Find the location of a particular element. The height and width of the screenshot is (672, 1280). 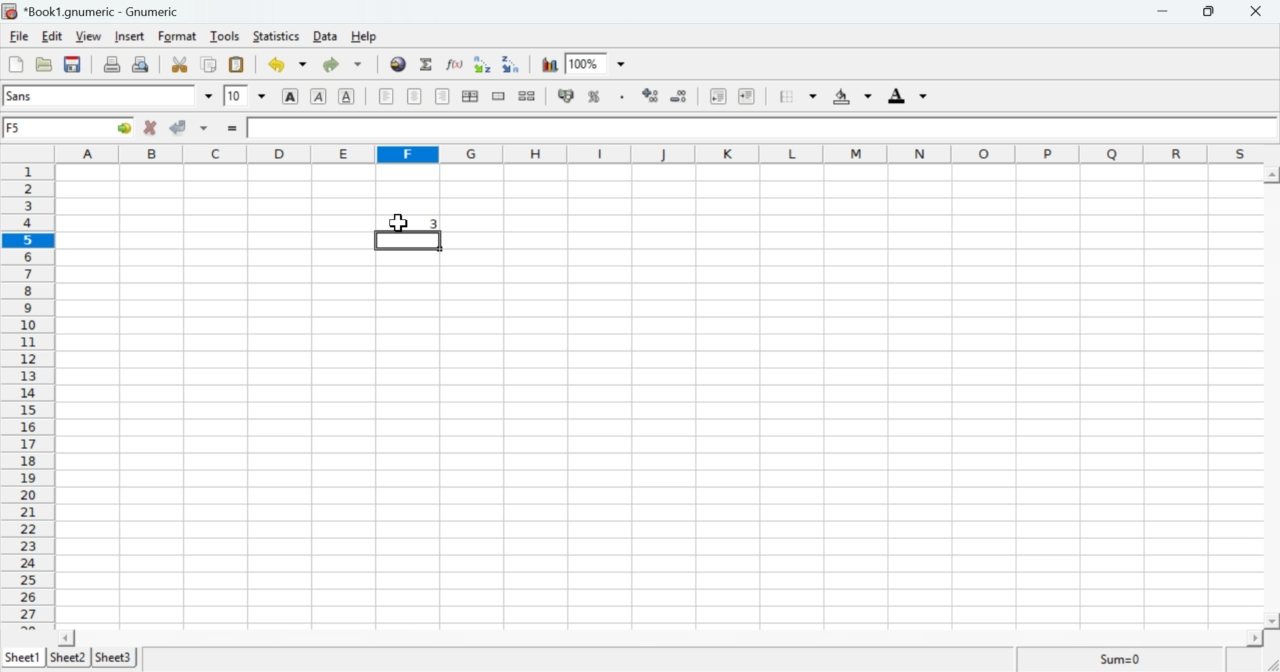

Print preview is located at coordinates (142, 65).